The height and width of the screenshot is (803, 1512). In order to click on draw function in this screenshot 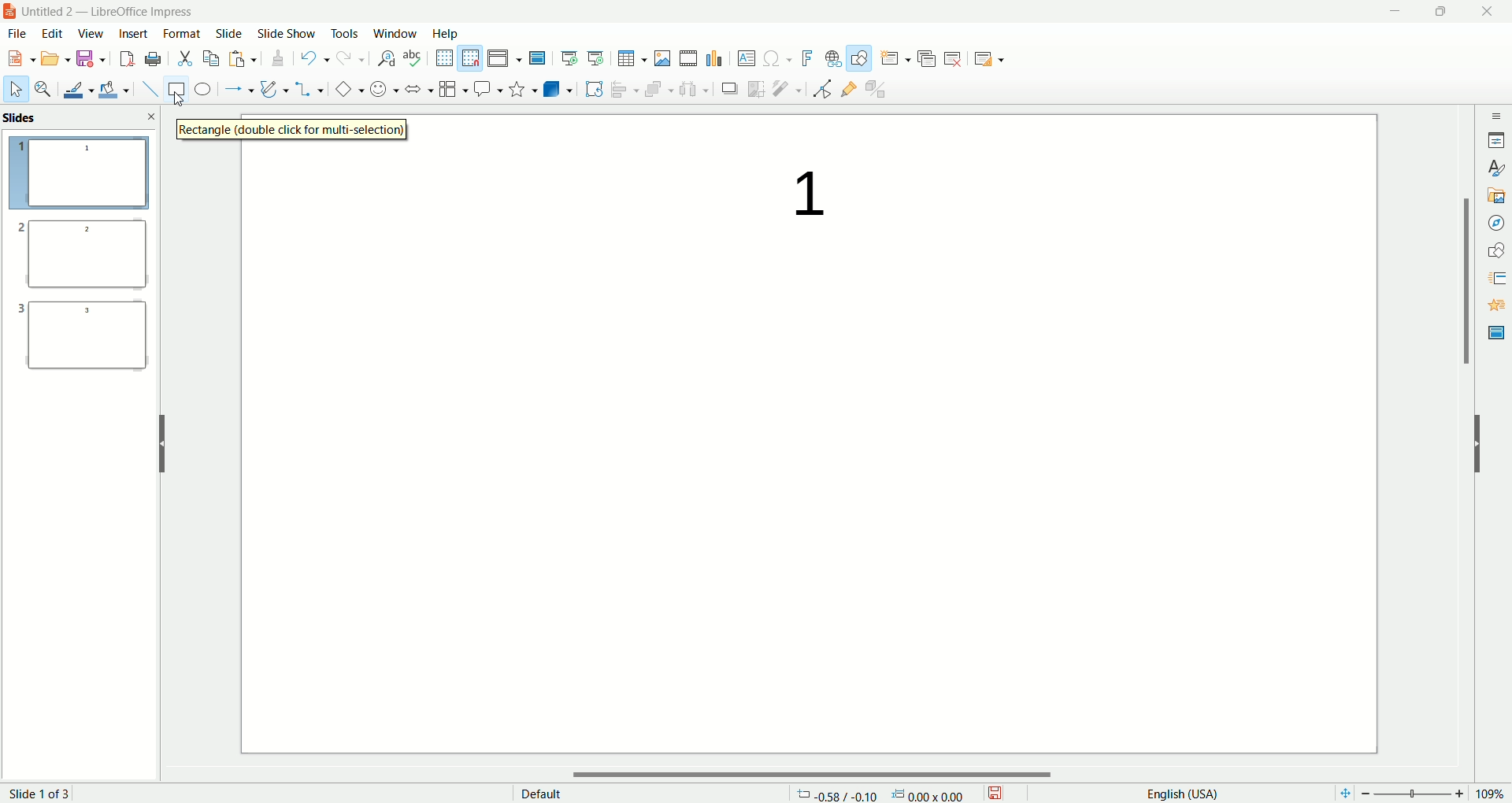, I will do `click(859, 58)`.